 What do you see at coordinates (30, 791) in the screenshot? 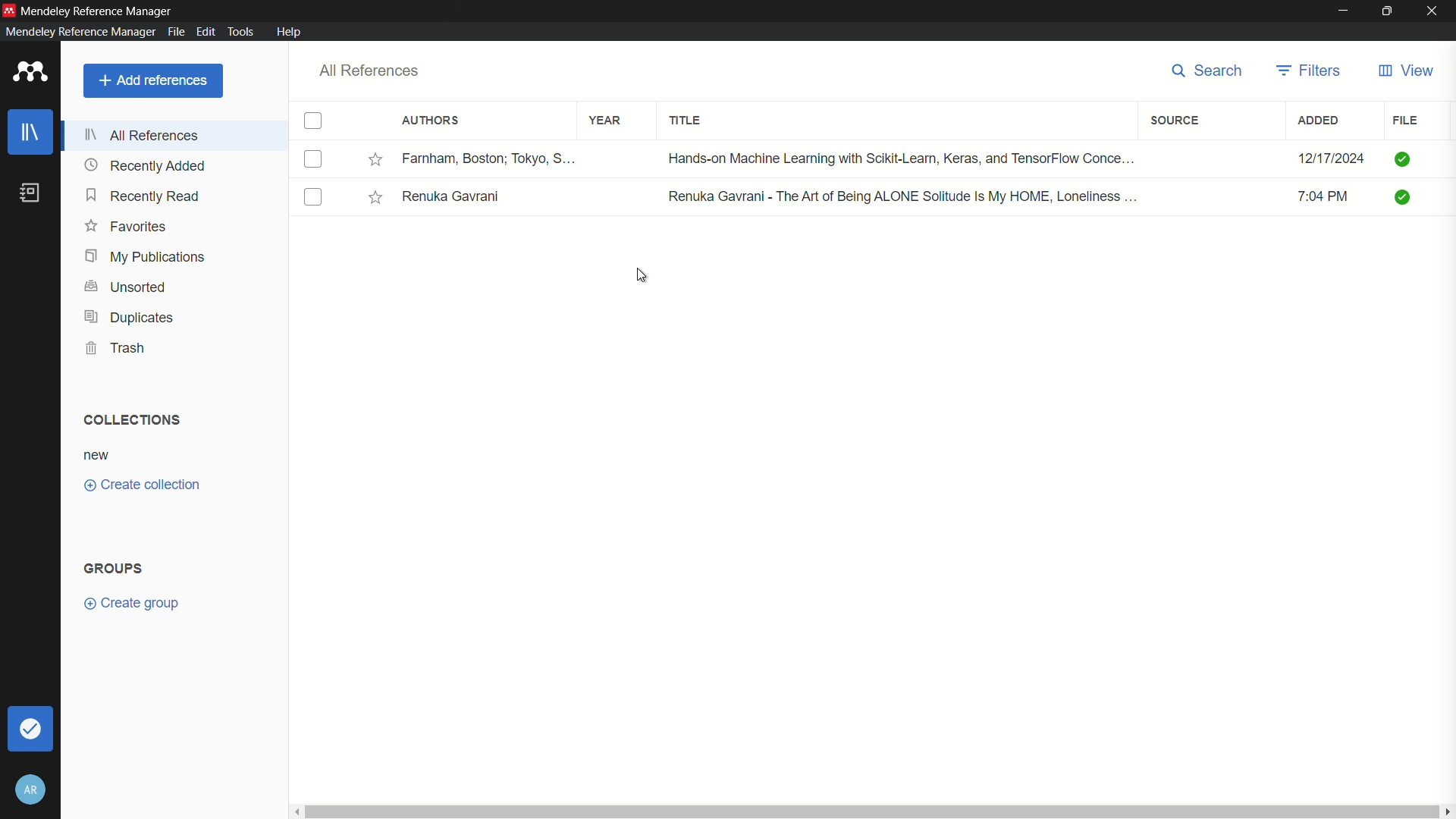
I see `account and settings` at bounding box center [30, 791].